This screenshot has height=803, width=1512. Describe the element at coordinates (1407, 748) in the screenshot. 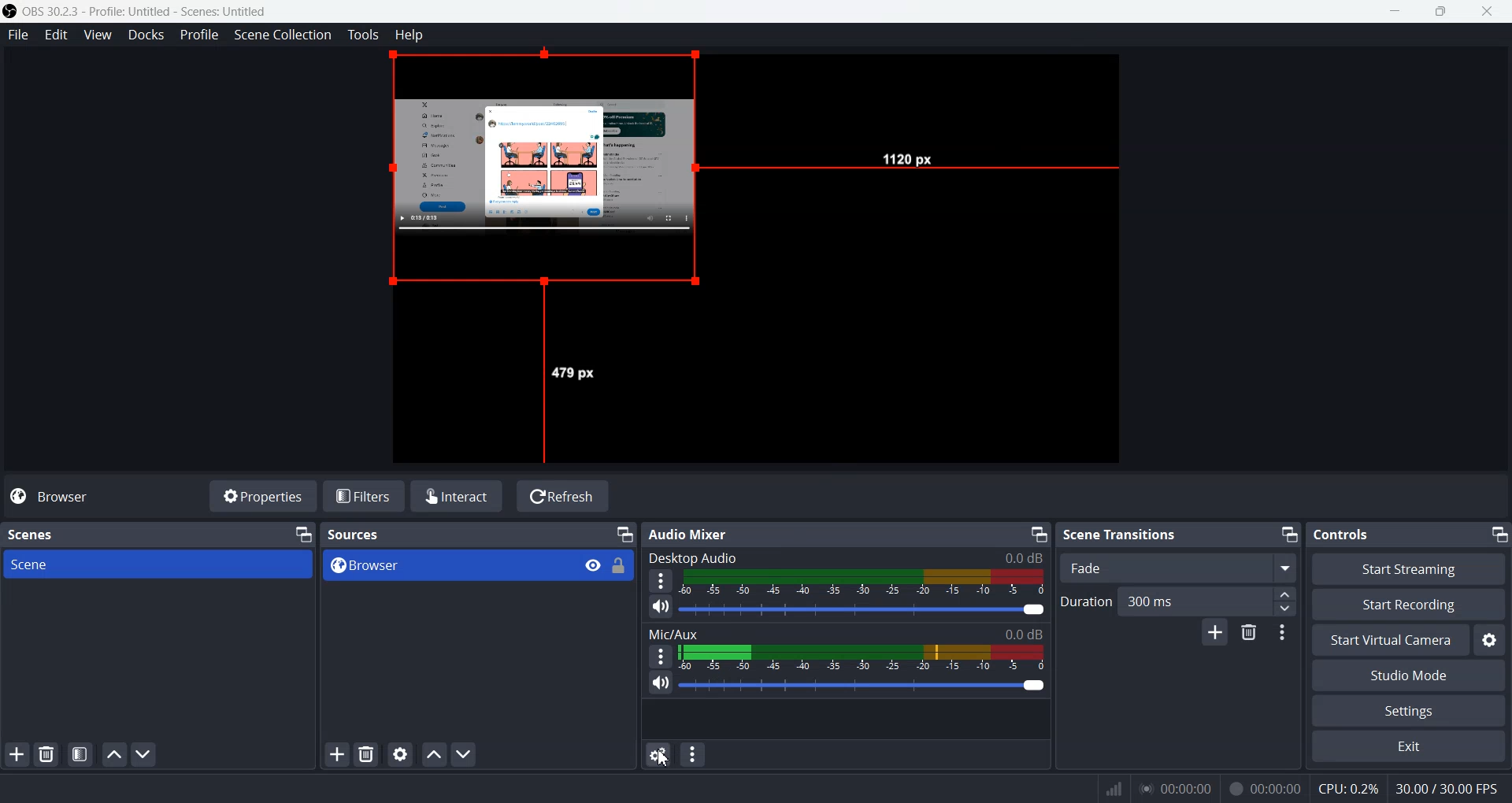

I see `Exit` at that location.